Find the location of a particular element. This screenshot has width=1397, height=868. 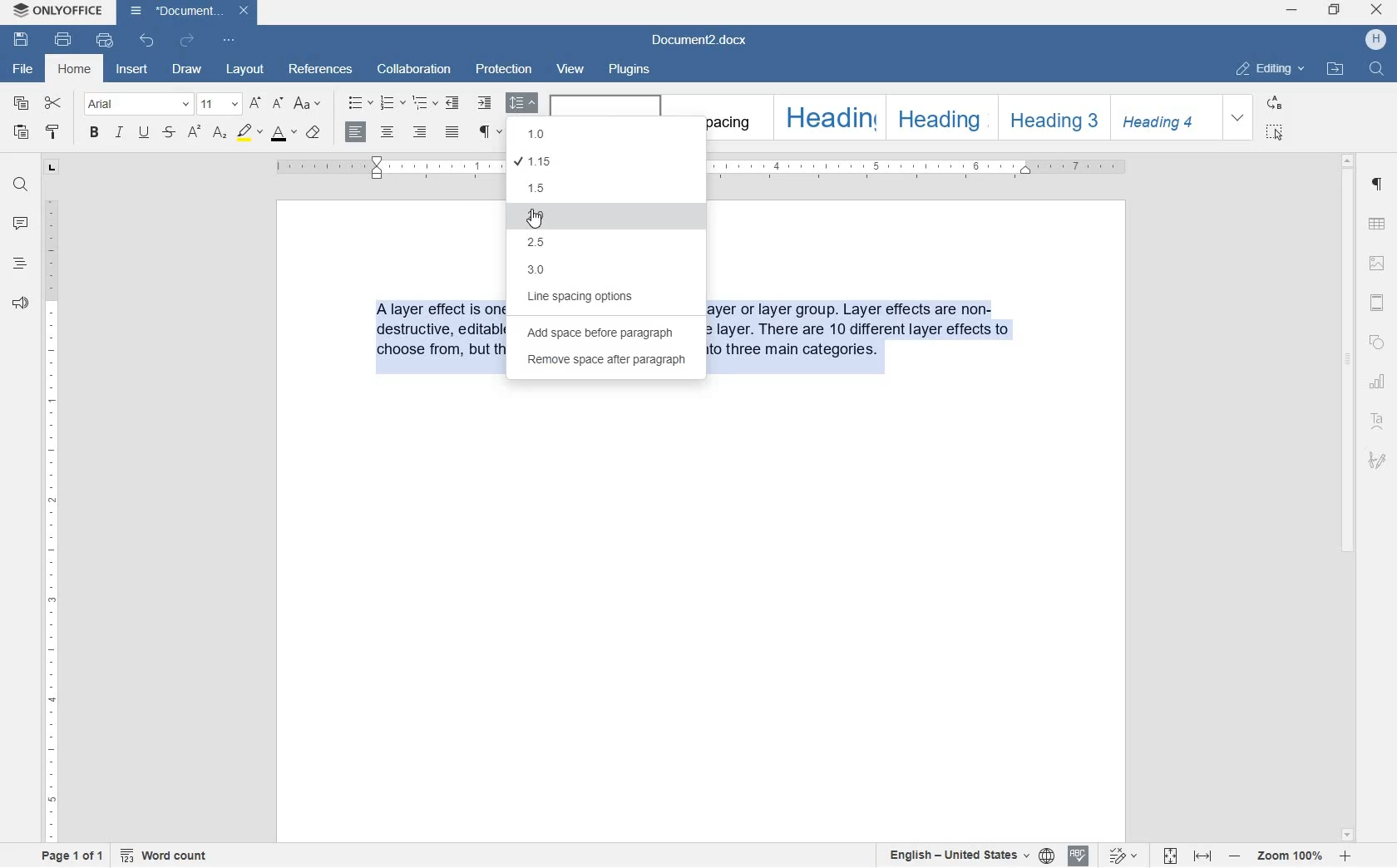

word count is located at coordinates (164, 856).